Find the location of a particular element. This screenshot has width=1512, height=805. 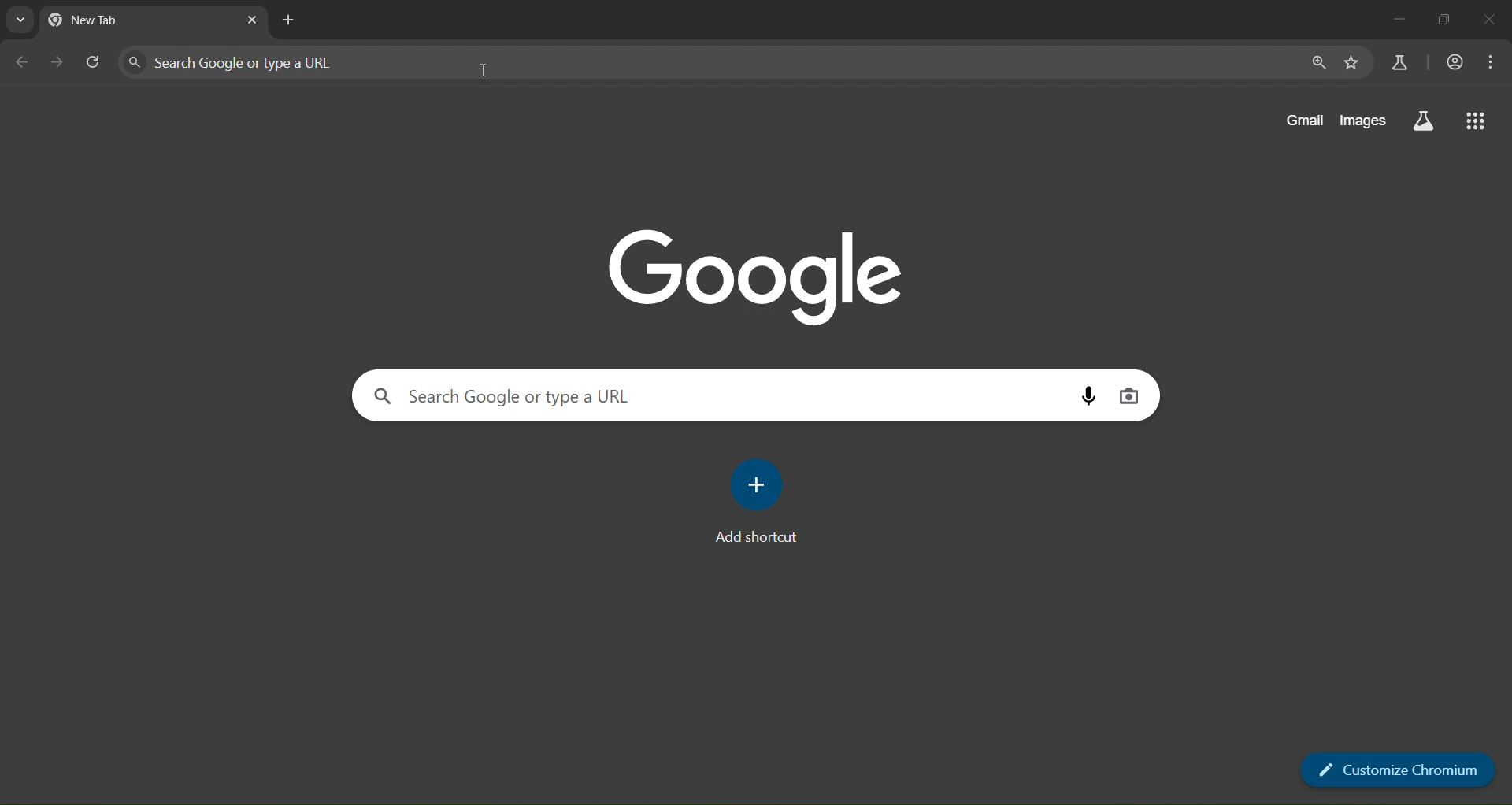

google is located at coordinates (760, 283).